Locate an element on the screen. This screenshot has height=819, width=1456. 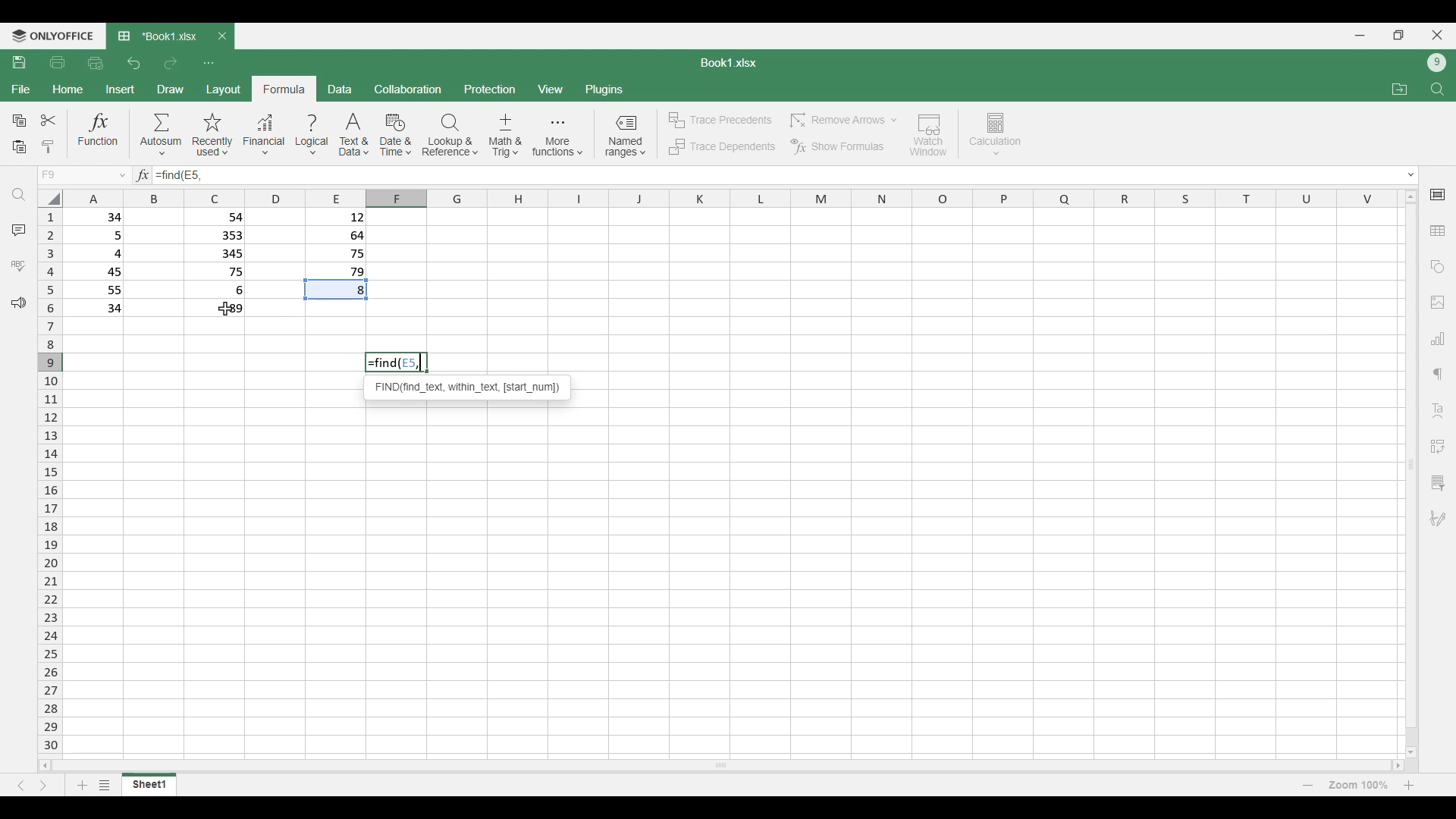
Print file is located at coordinates (58, 63).